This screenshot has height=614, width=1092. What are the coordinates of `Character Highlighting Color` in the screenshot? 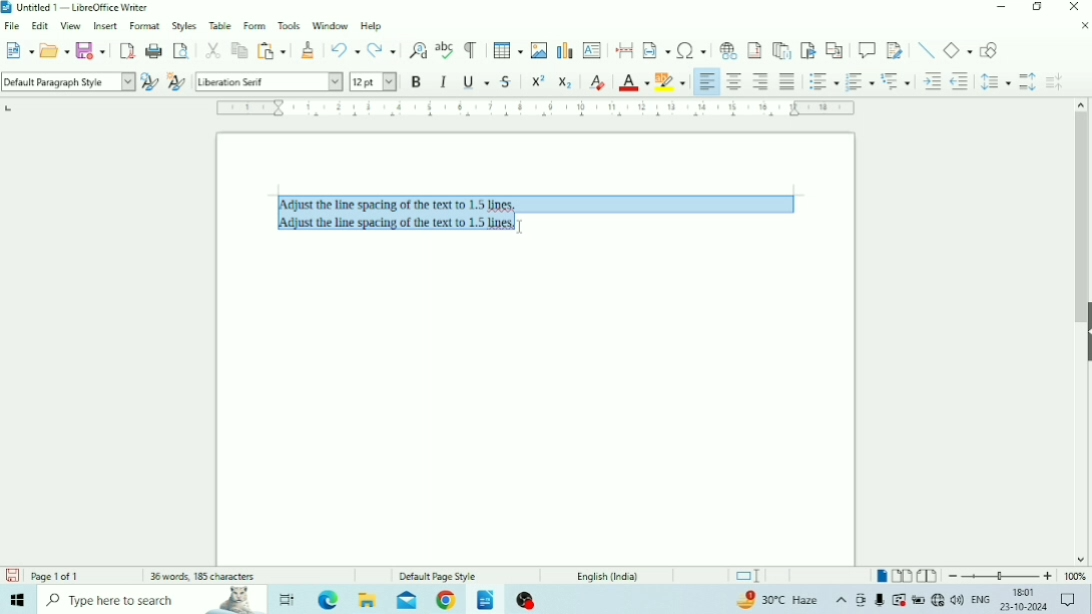 It's located at (670, 81).